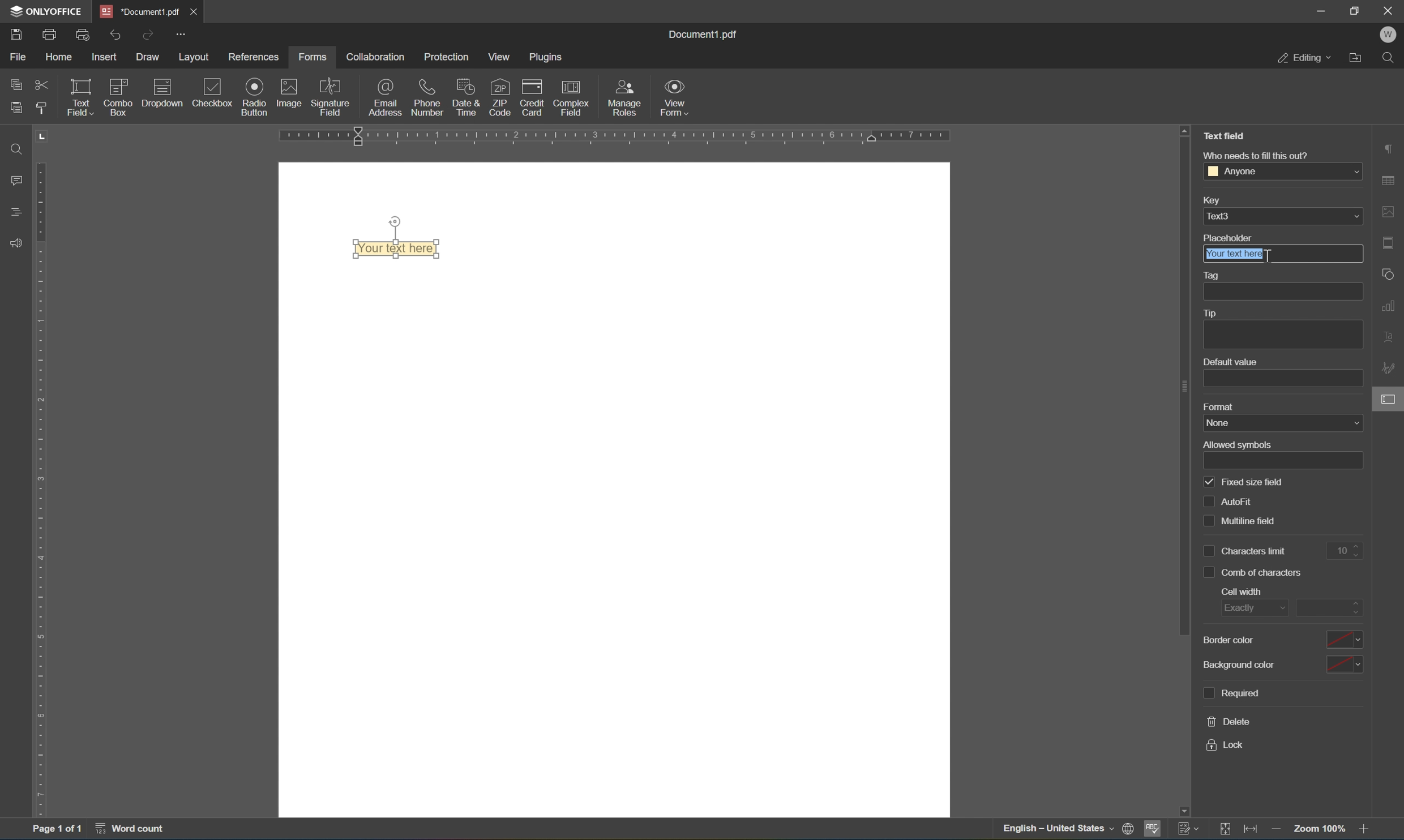  What do you see at coordinates (1320, 10) in the screenshot?
I see `minimize` at bounding box center [1320, 10].